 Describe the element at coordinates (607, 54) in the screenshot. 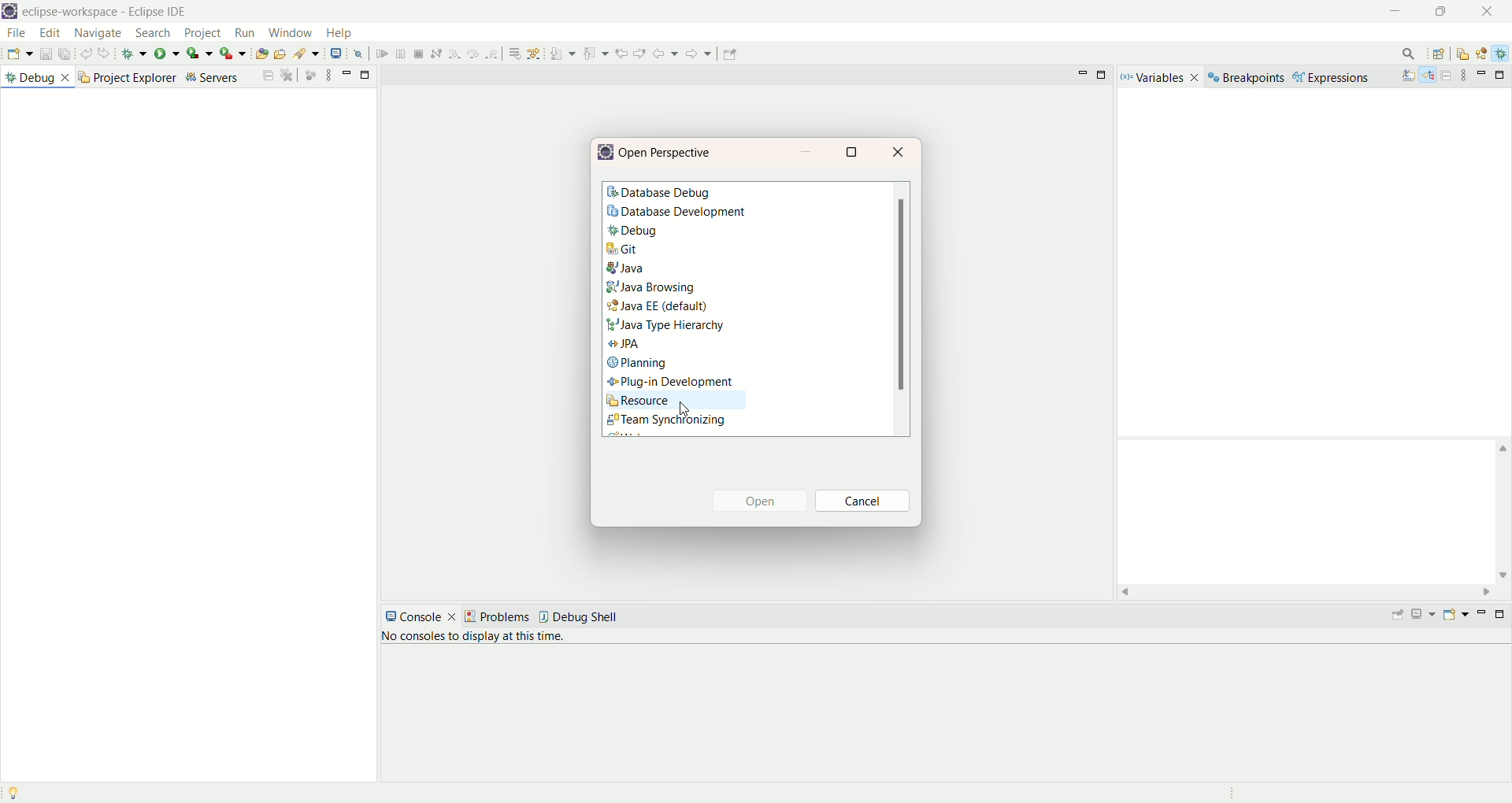

I see `step return` at that location.